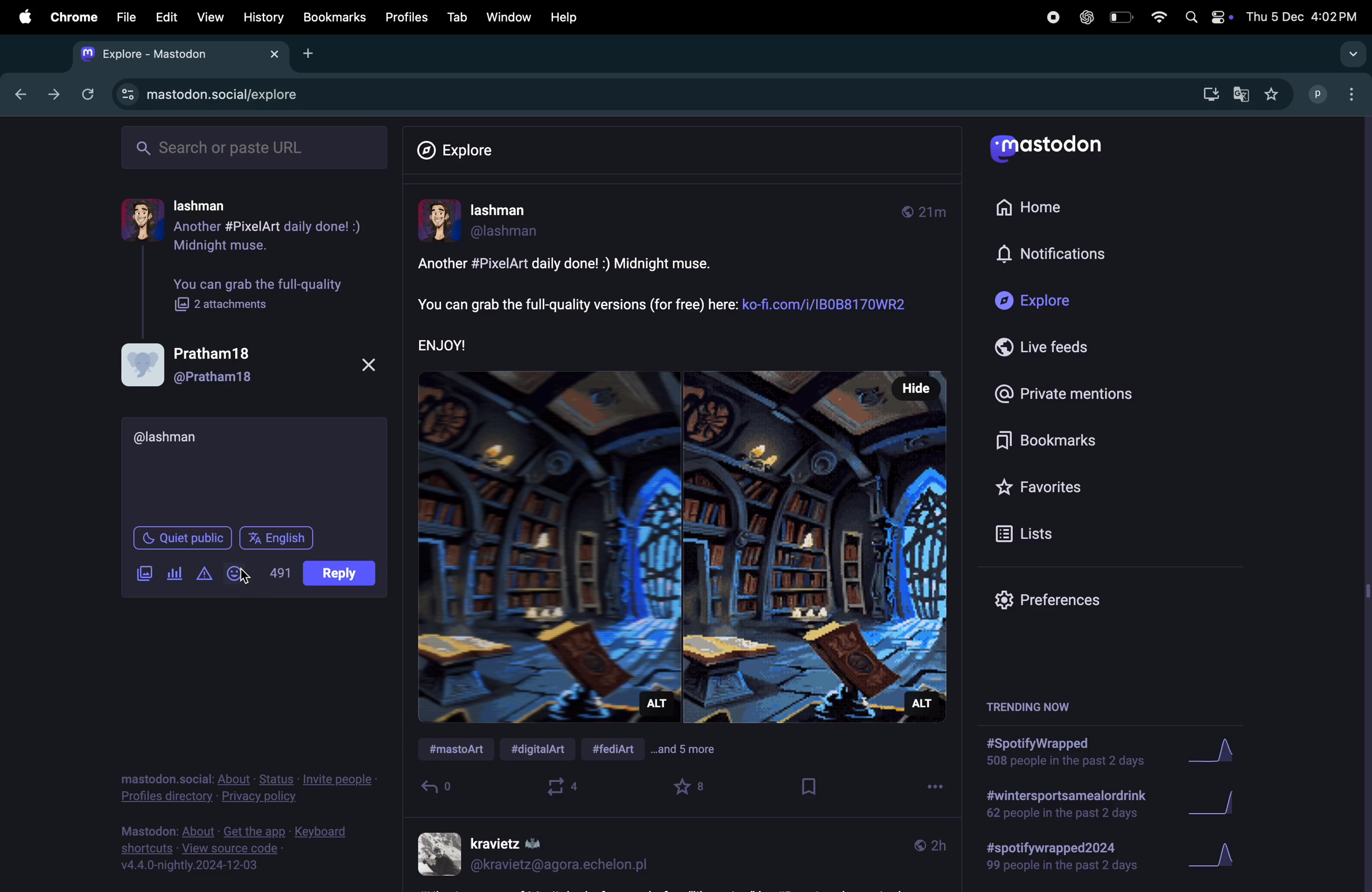 The width and height of the screenshot is (1372, 892). What do you see at coordinates (1220, 806) in the screenshot?
I see `Graph` at bounding box center [1220, 806].